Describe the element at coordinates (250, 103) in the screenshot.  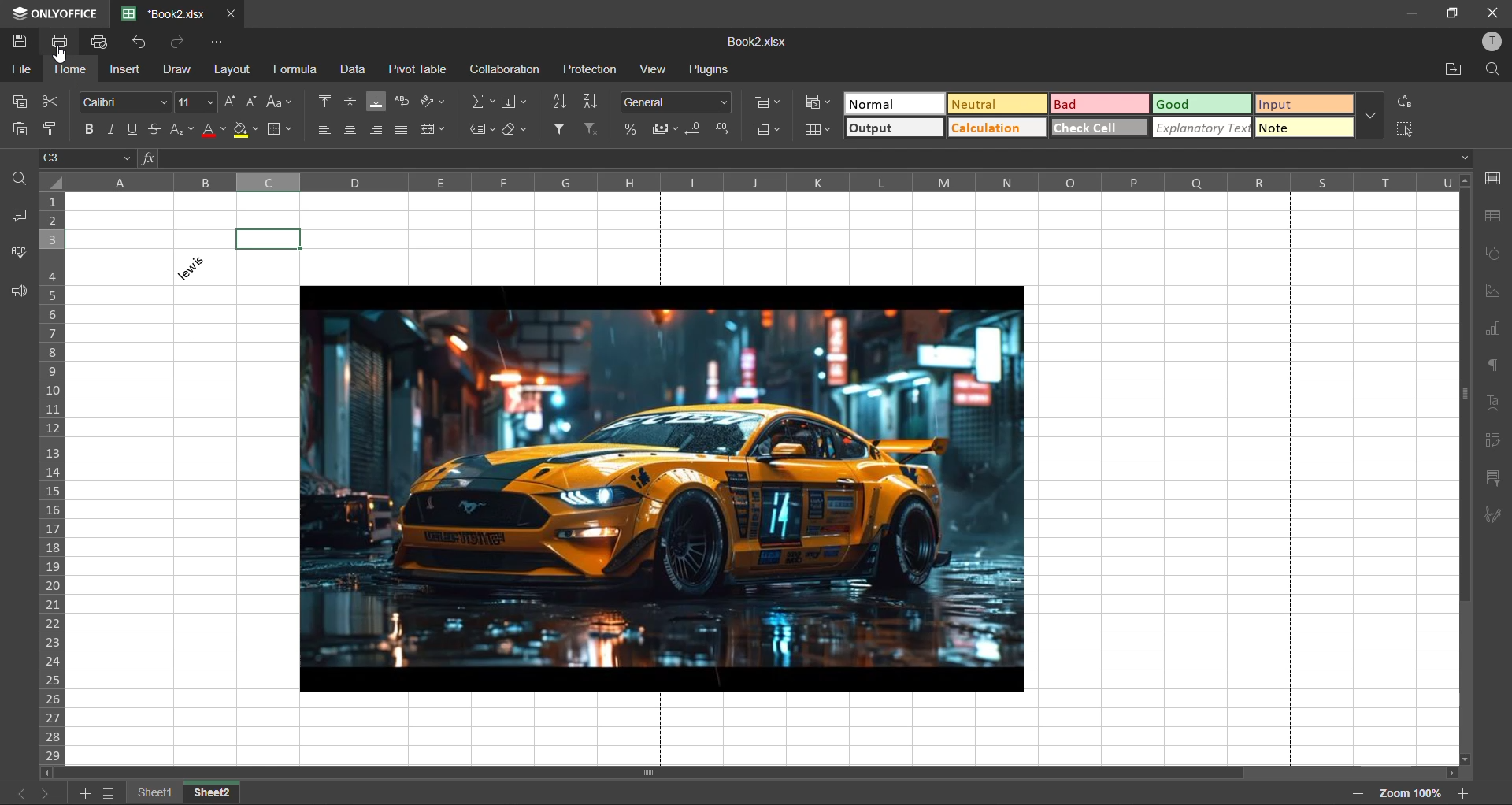
I see `decrement size` at that location.